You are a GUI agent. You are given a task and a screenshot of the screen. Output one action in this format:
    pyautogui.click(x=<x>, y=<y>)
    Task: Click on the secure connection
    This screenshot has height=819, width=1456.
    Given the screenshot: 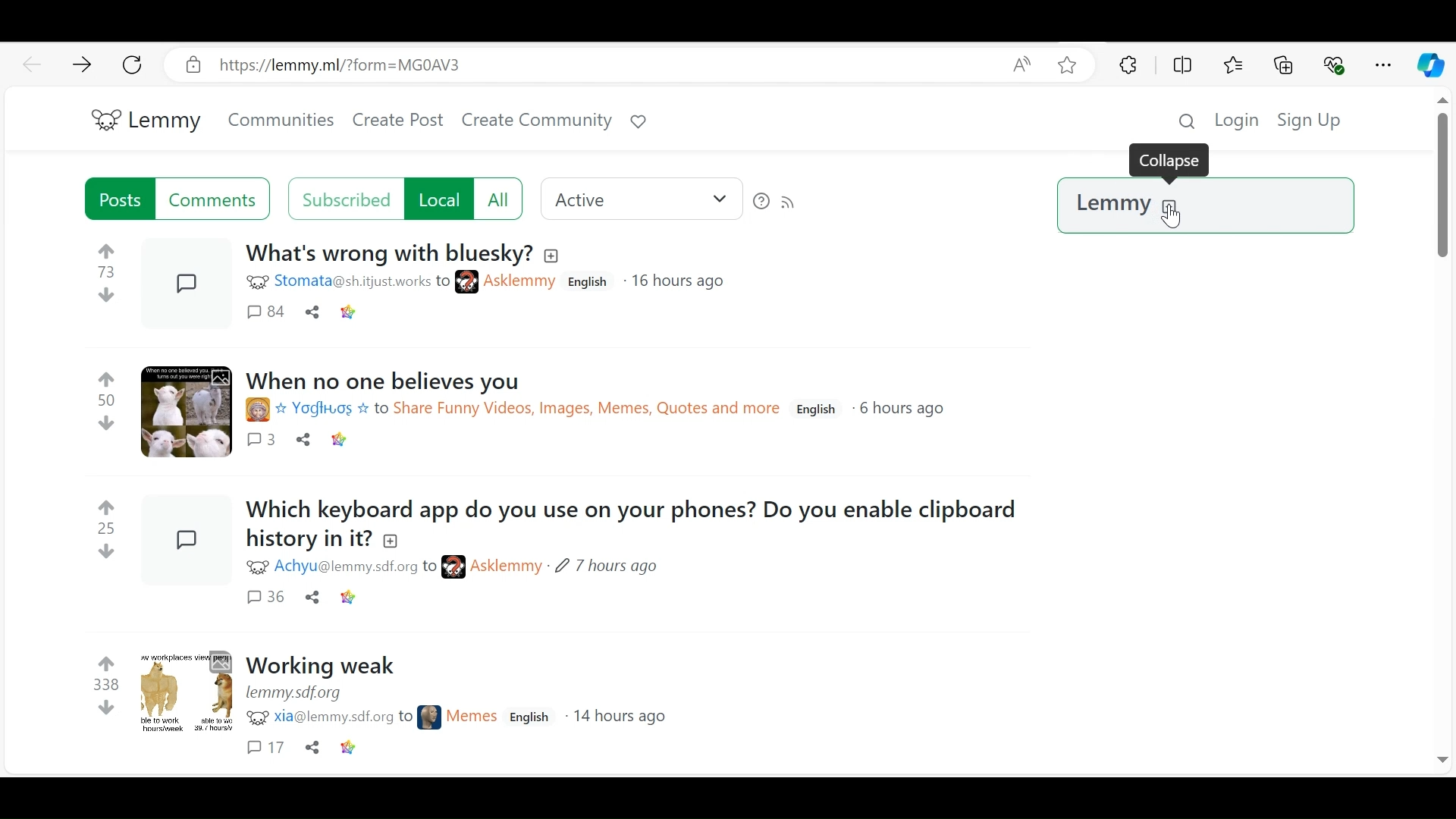 What is the action you would take?
    pyautogui.click(x=187, y=63)
    